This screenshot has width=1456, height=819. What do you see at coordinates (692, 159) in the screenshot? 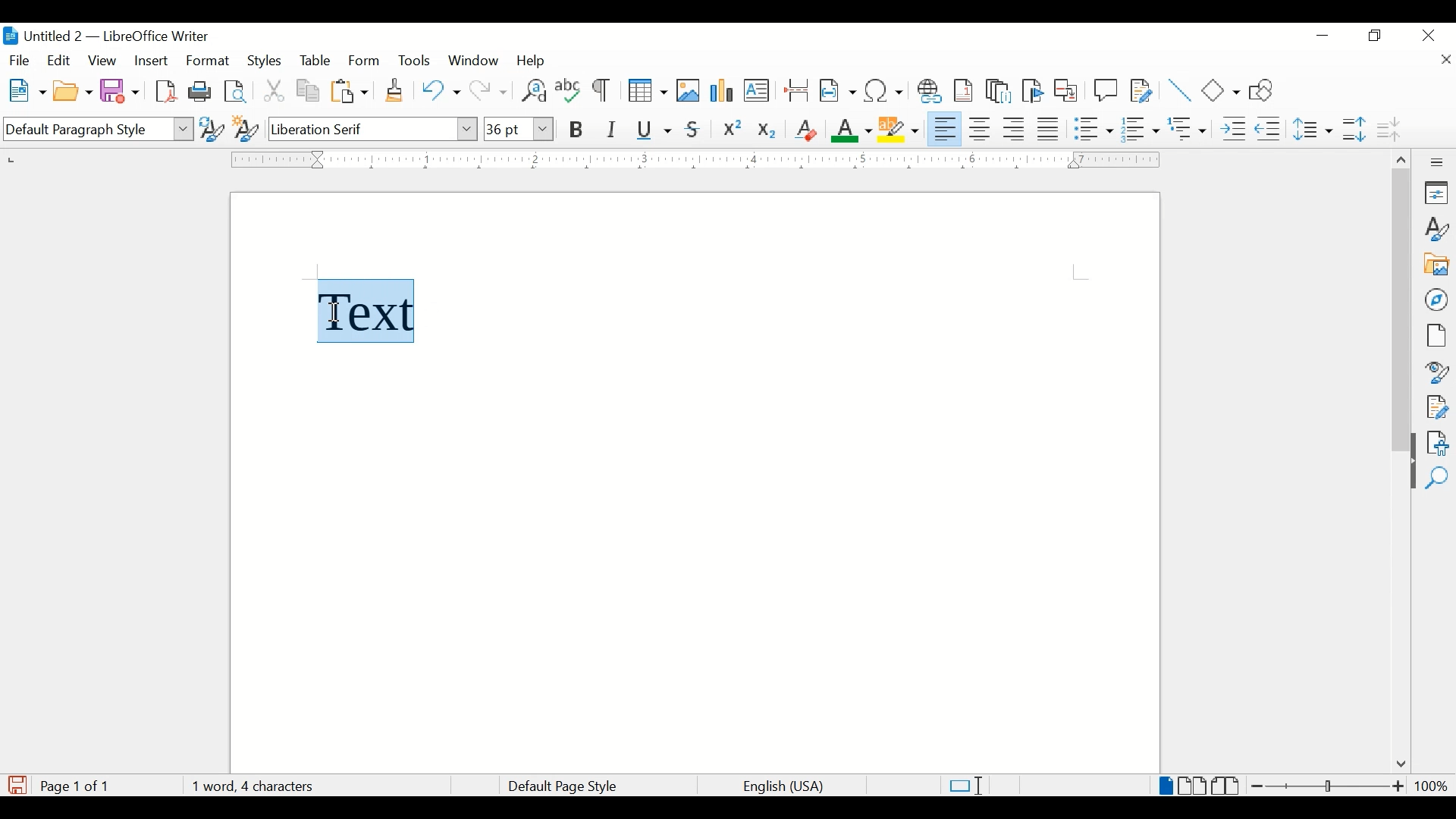
I see `margin` at bounding box center [692, 159].